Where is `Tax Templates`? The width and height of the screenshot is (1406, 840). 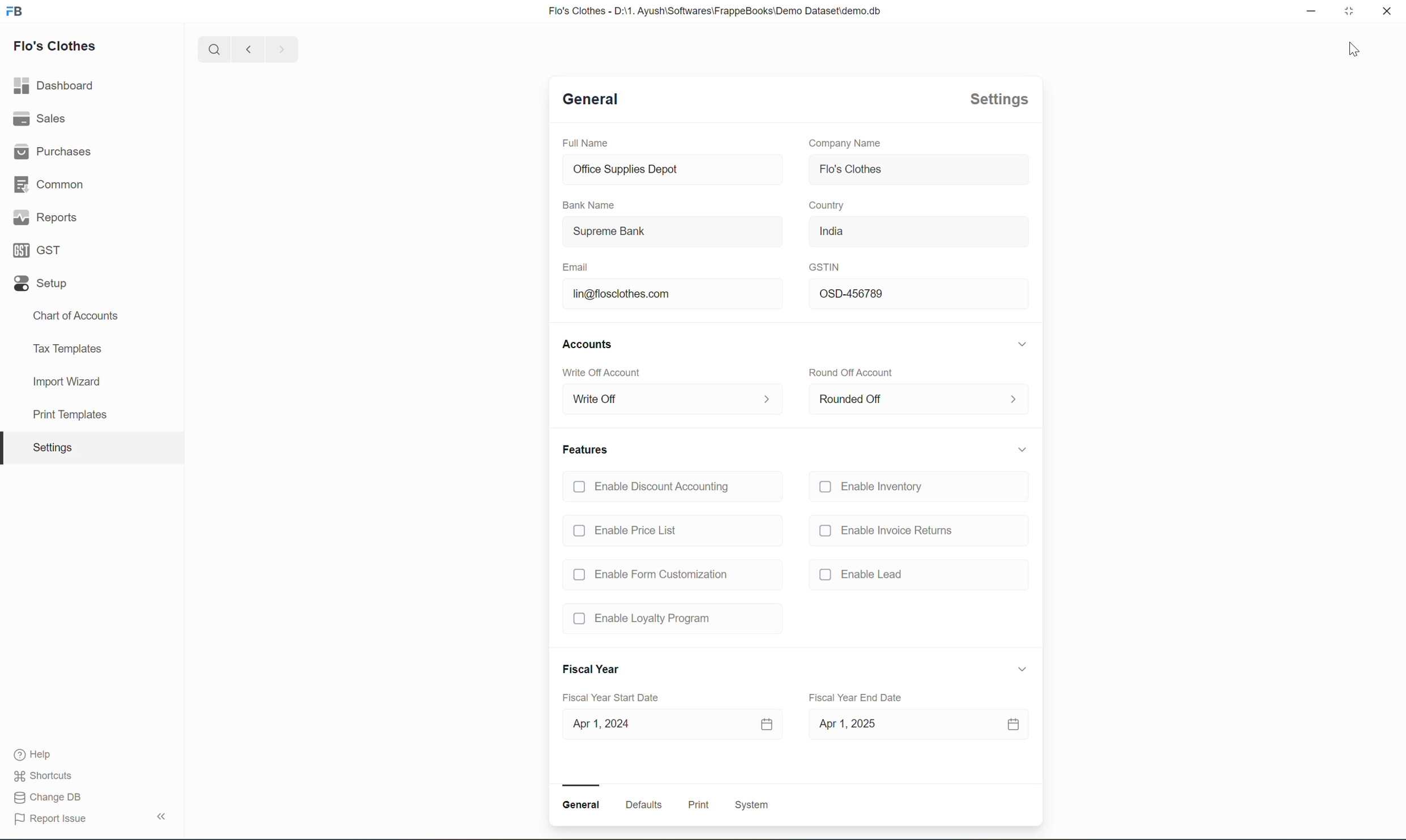 Tax Templates is located at coordinates (67, 350).